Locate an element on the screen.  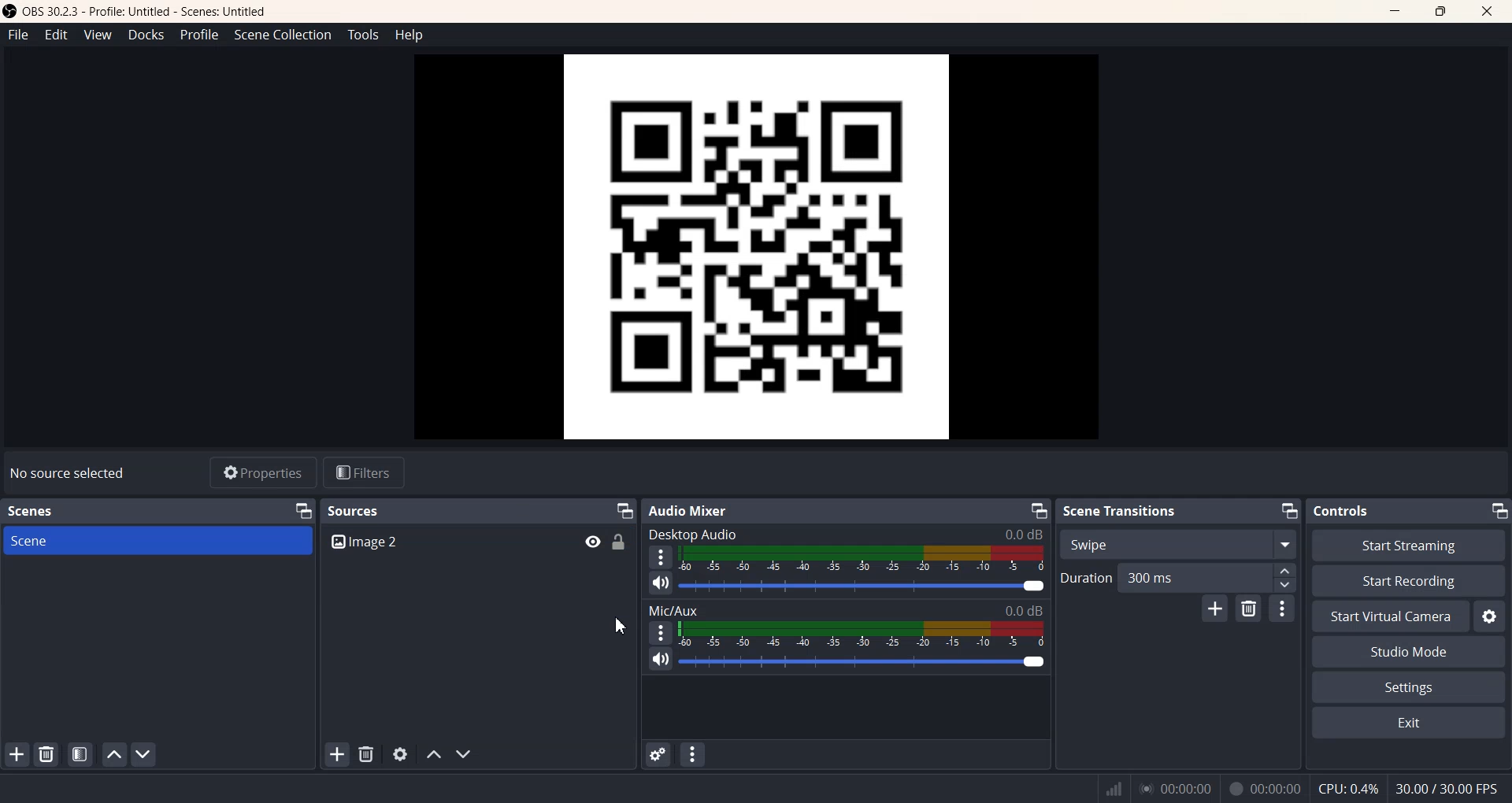
More is located at coordinates (659, 553).